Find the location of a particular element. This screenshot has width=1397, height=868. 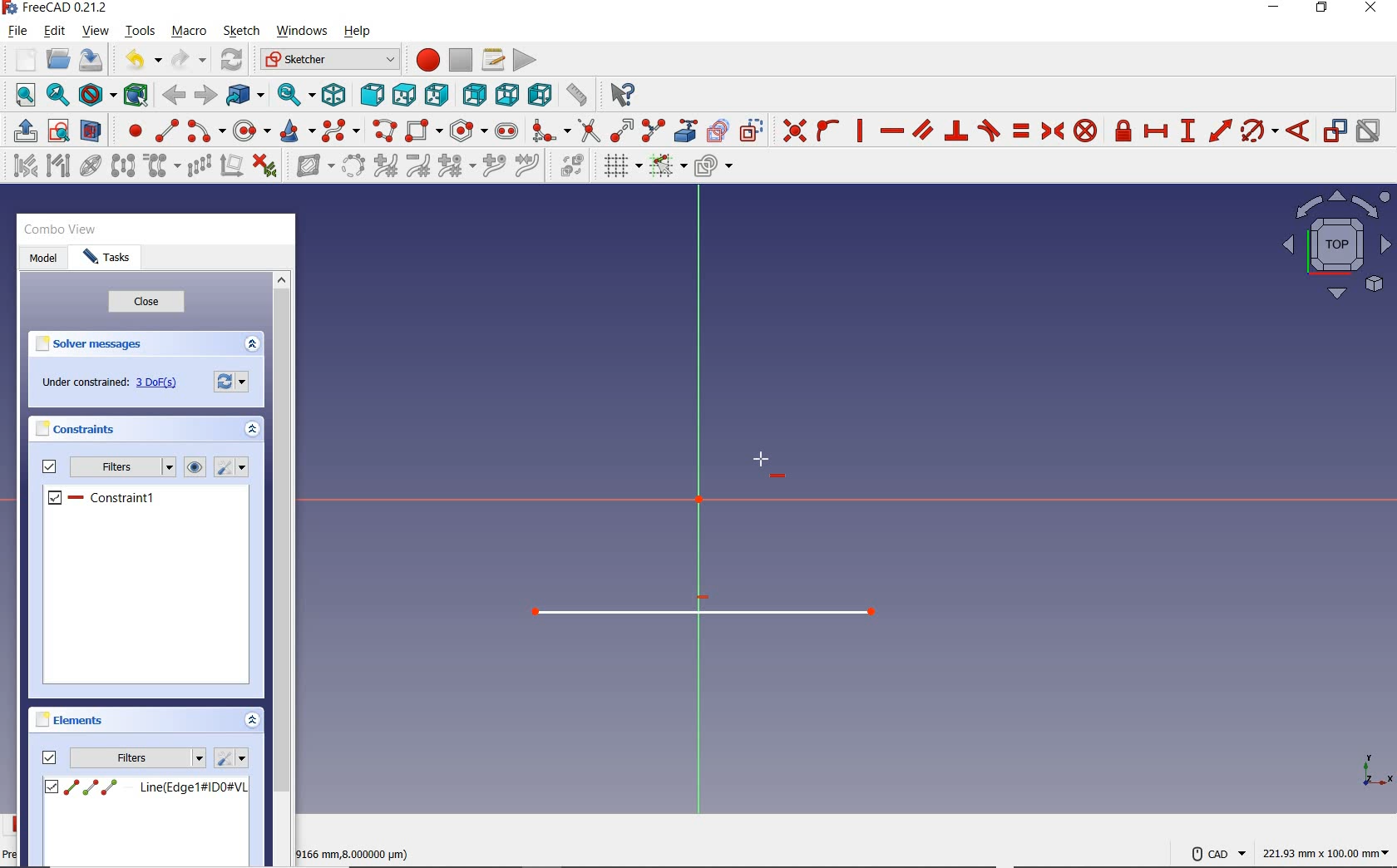

MEASURE DISTANCE is located at coordinates (580, 96).